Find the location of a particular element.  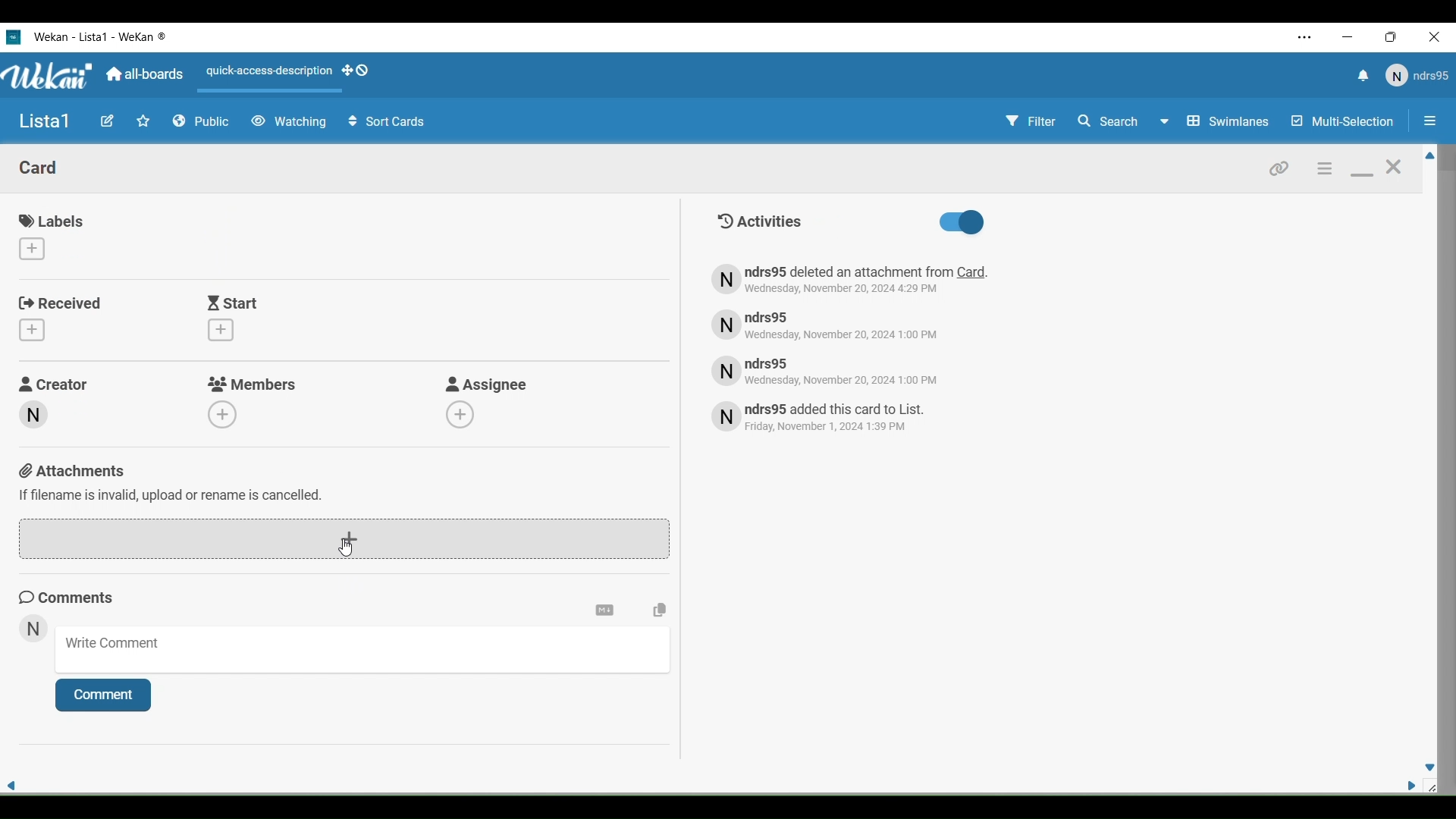

Add attachments button is located at coordinates (344, 540).